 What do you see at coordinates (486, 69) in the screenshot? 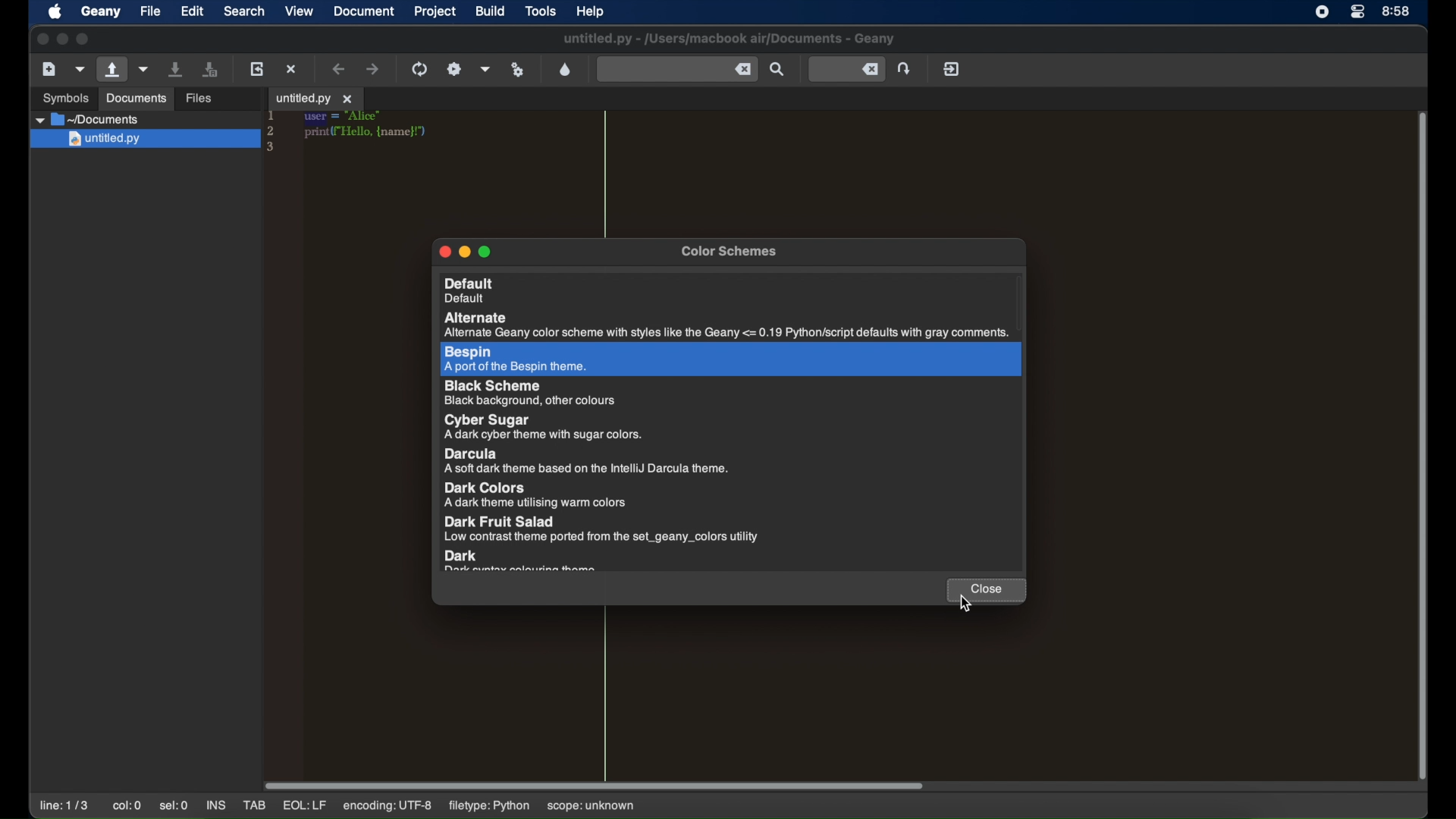
I see `choose more build actions` at bounding box center [486, 69].